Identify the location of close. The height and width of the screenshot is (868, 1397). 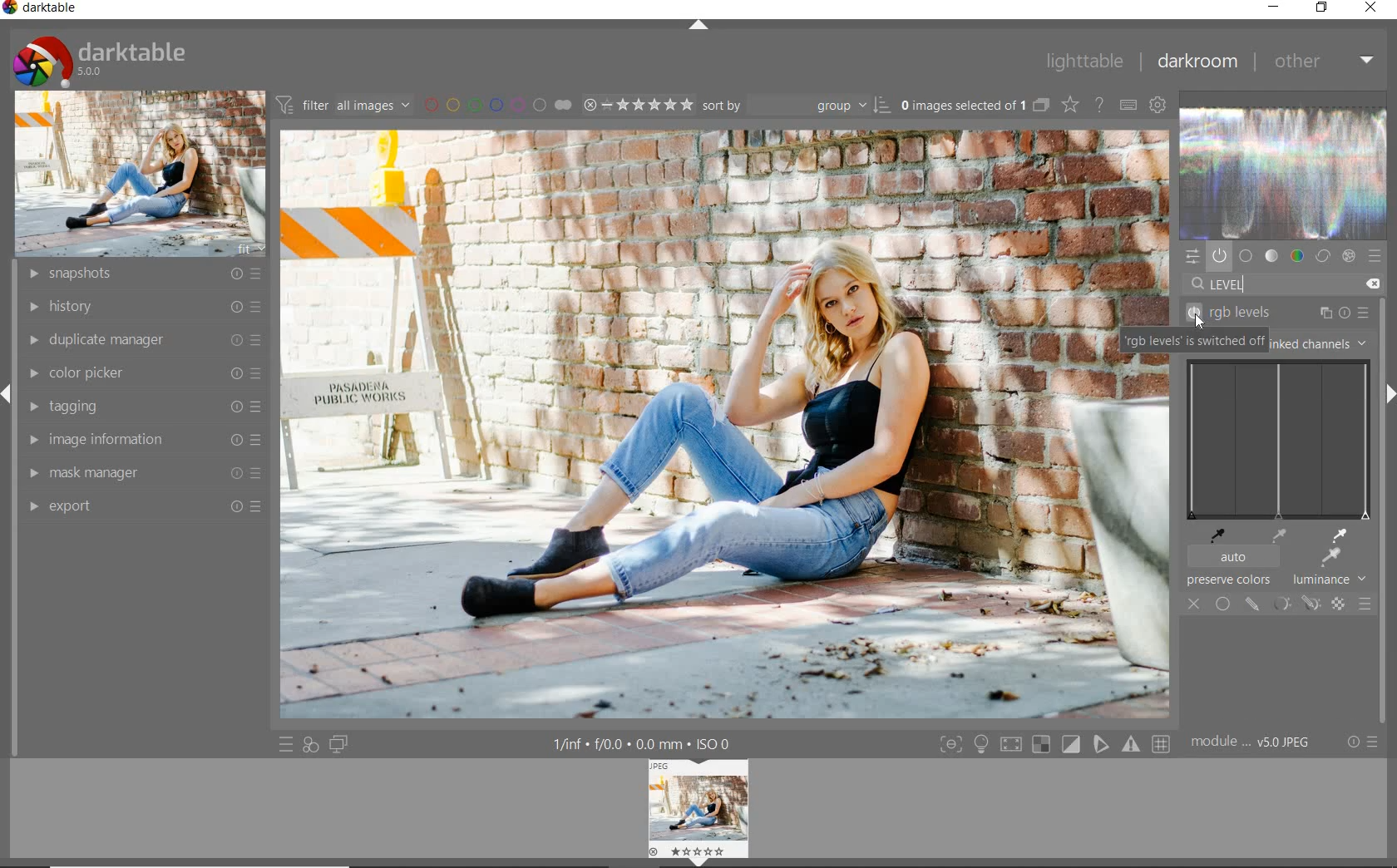
(1194, 602).